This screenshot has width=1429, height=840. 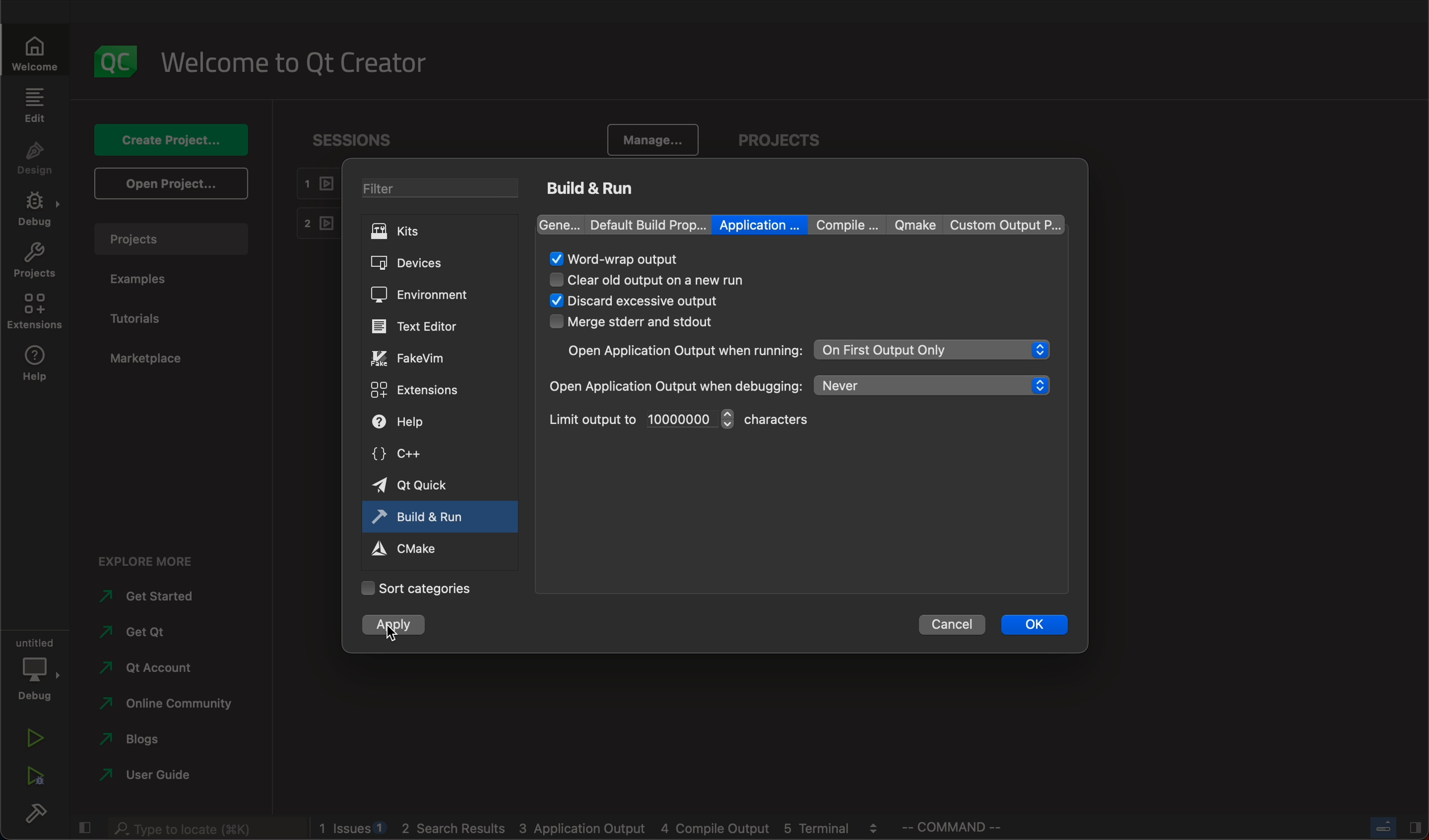 What do you see at coordinates (209, 829) in the screenshot?
I see `search` at bounding box center [209, 829].